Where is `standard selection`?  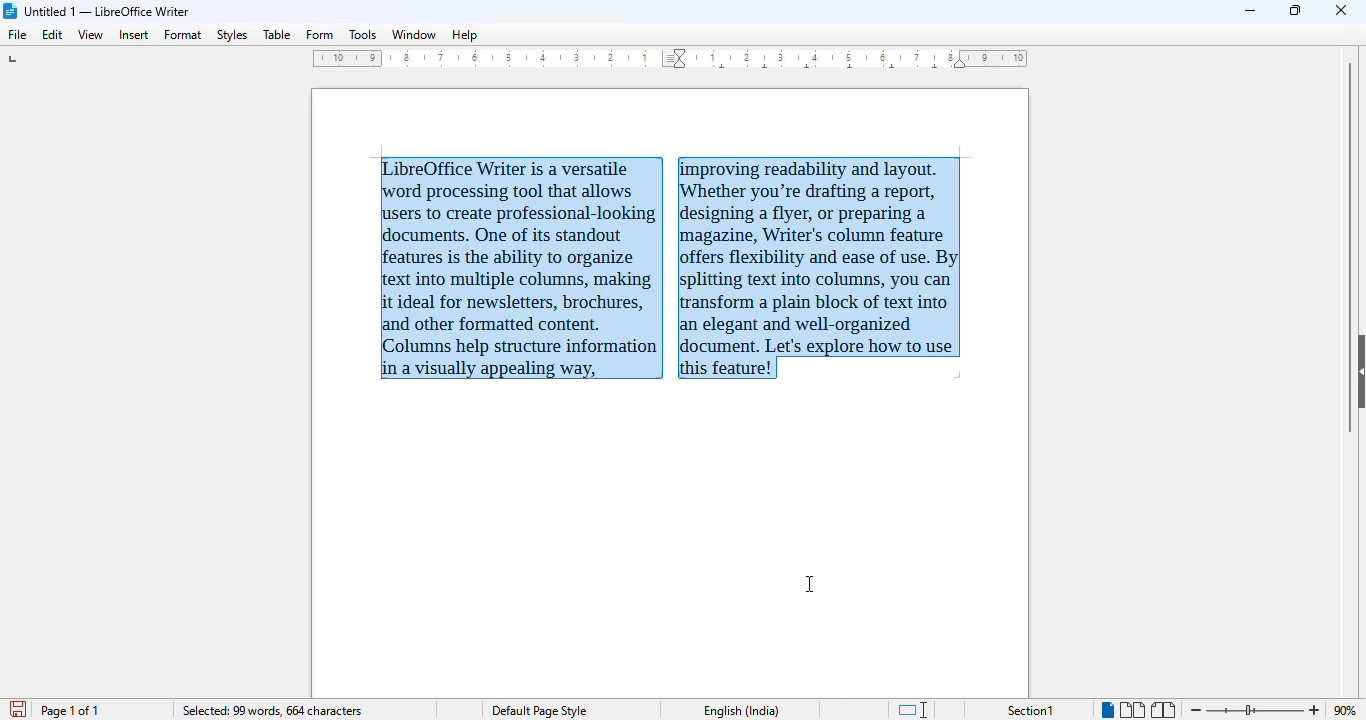
standard selection is located at coordinates (915, 709).